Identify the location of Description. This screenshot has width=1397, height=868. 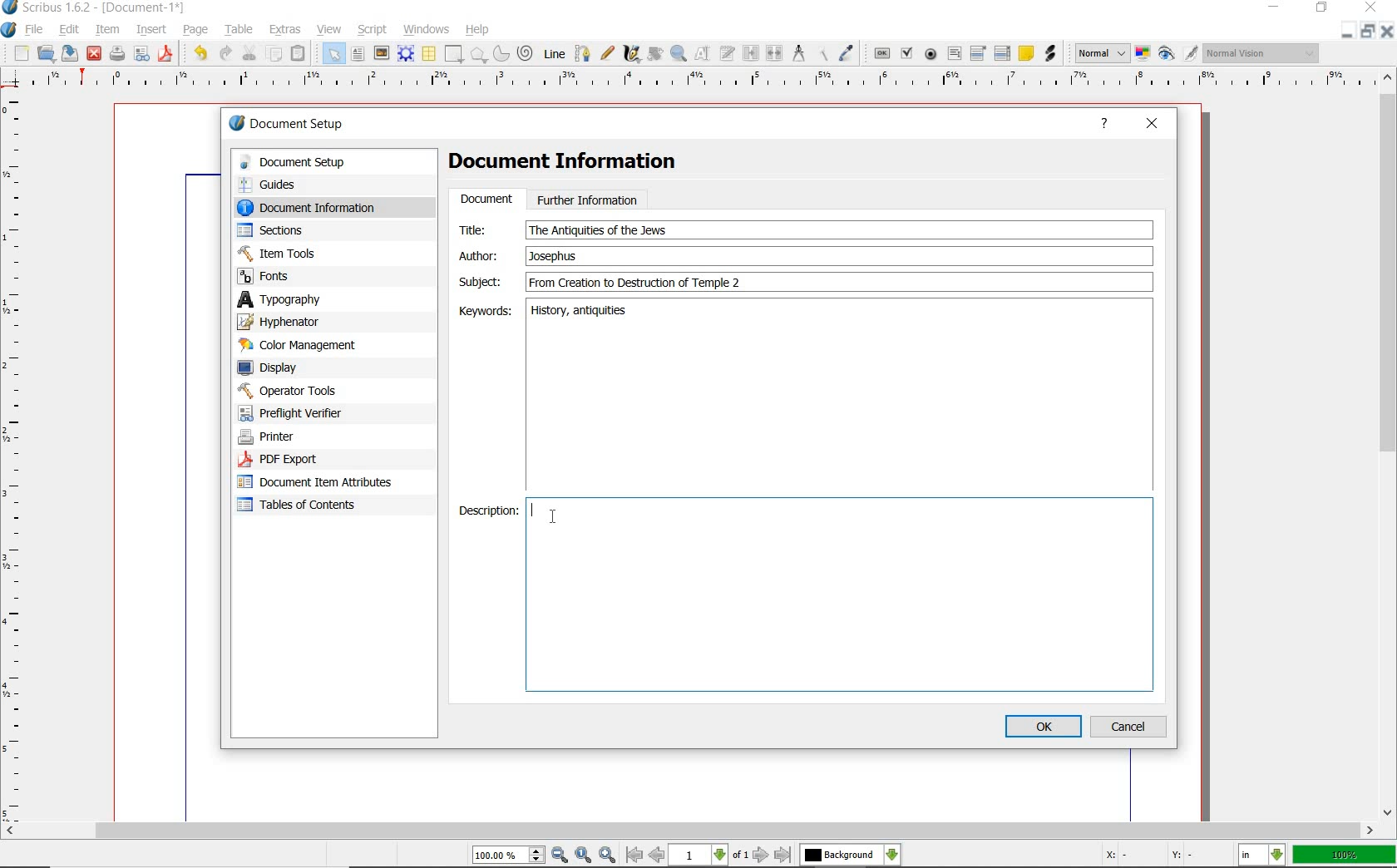
(844, 599).